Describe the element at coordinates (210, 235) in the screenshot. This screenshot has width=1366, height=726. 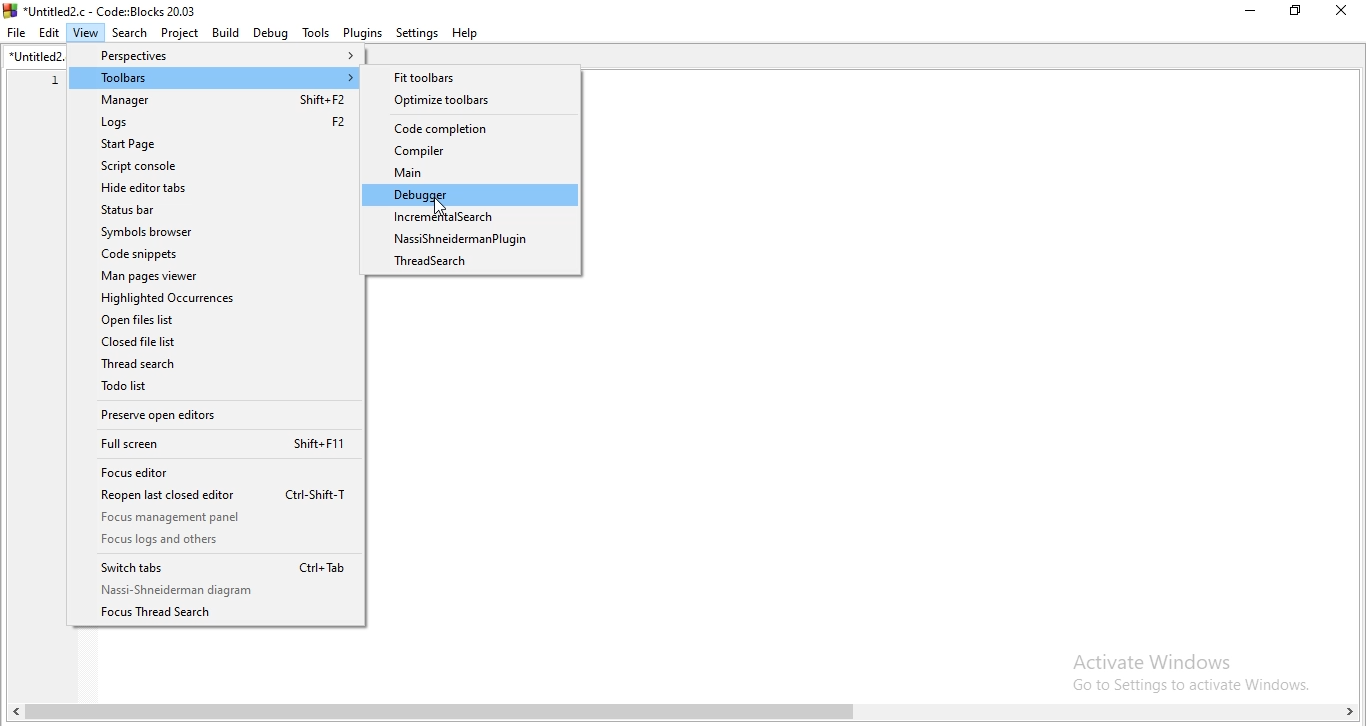
I see `Symbols browser` at that location.